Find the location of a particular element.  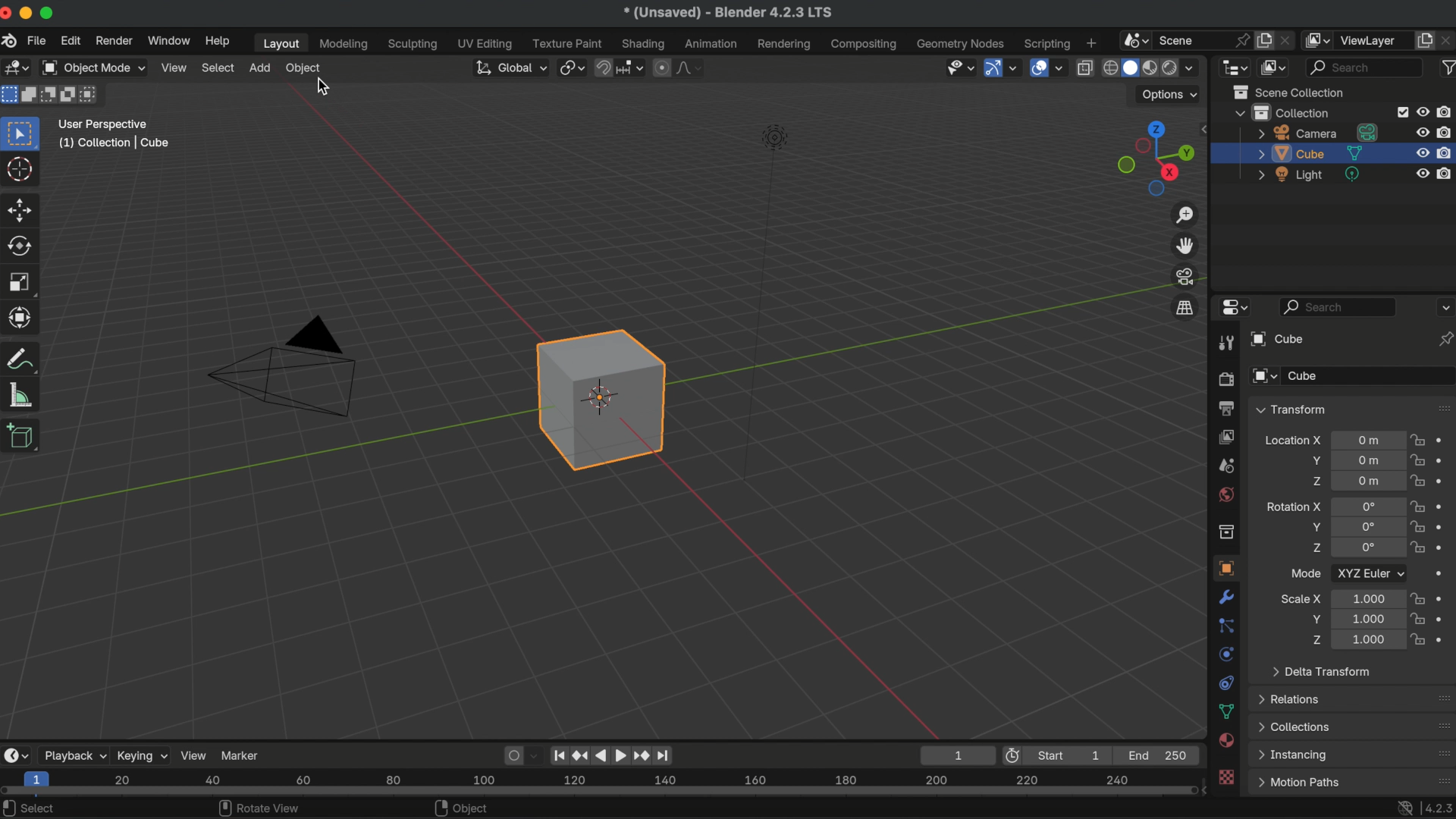

light is located at coordinates (1310, 174).